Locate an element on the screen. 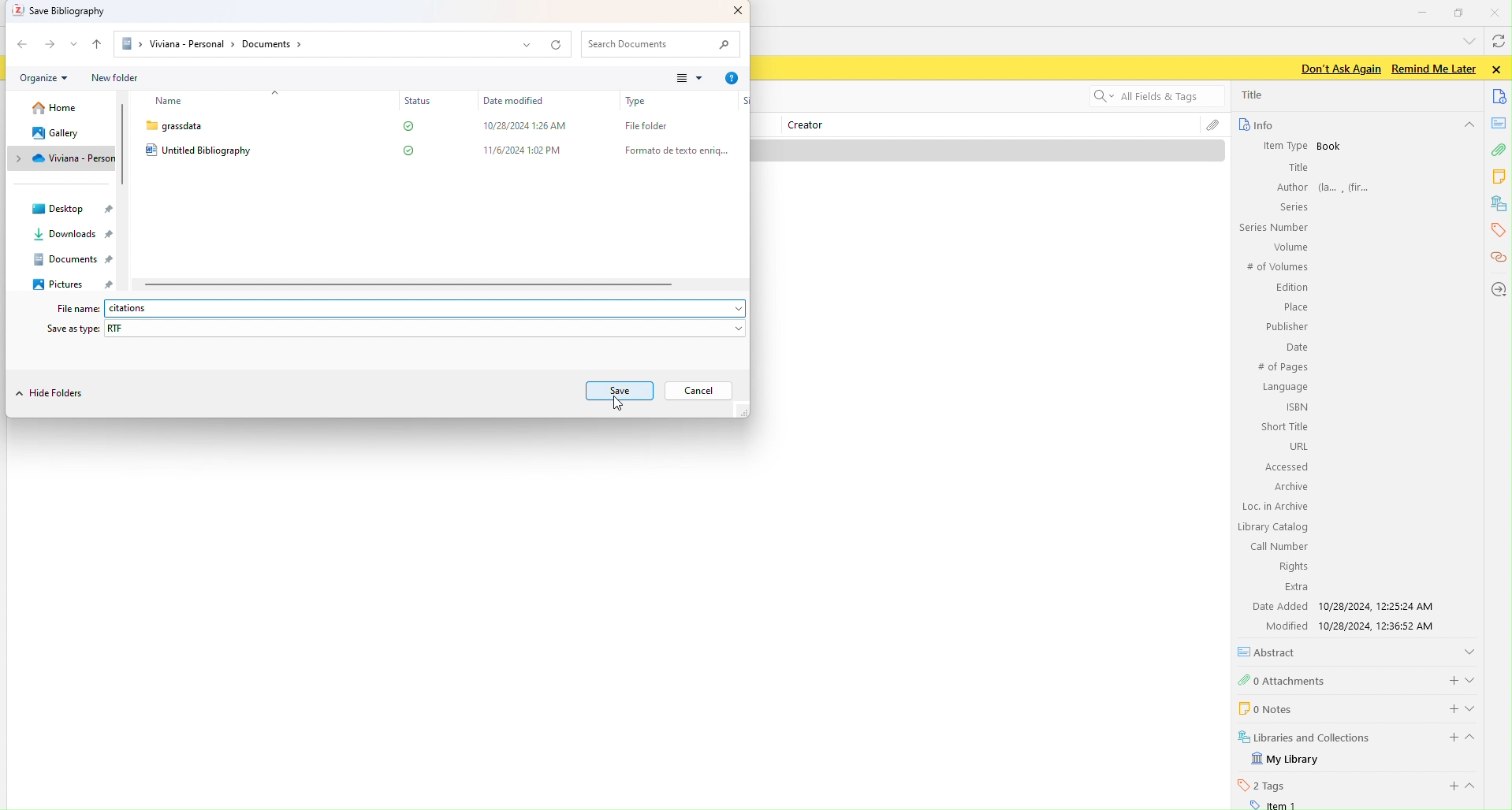  ‘Modified is located at coordinates (1280, 626).